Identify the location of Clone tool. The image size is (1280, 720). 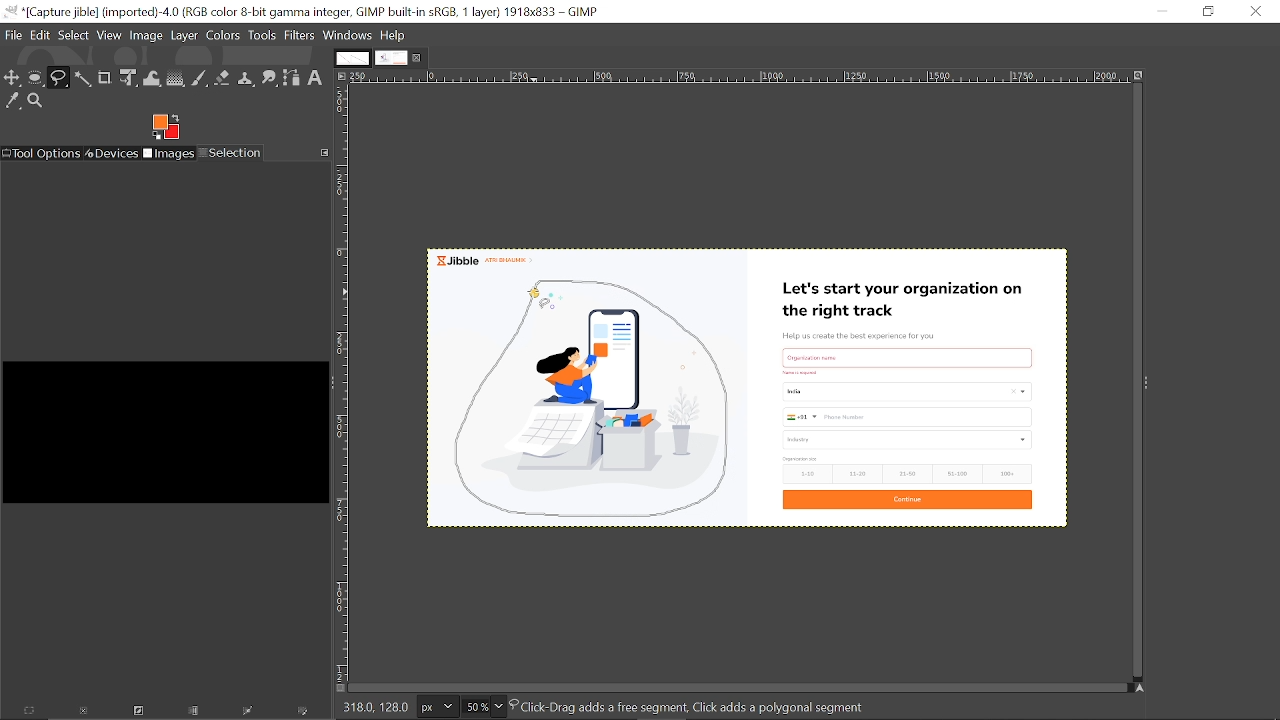
(247, 78).